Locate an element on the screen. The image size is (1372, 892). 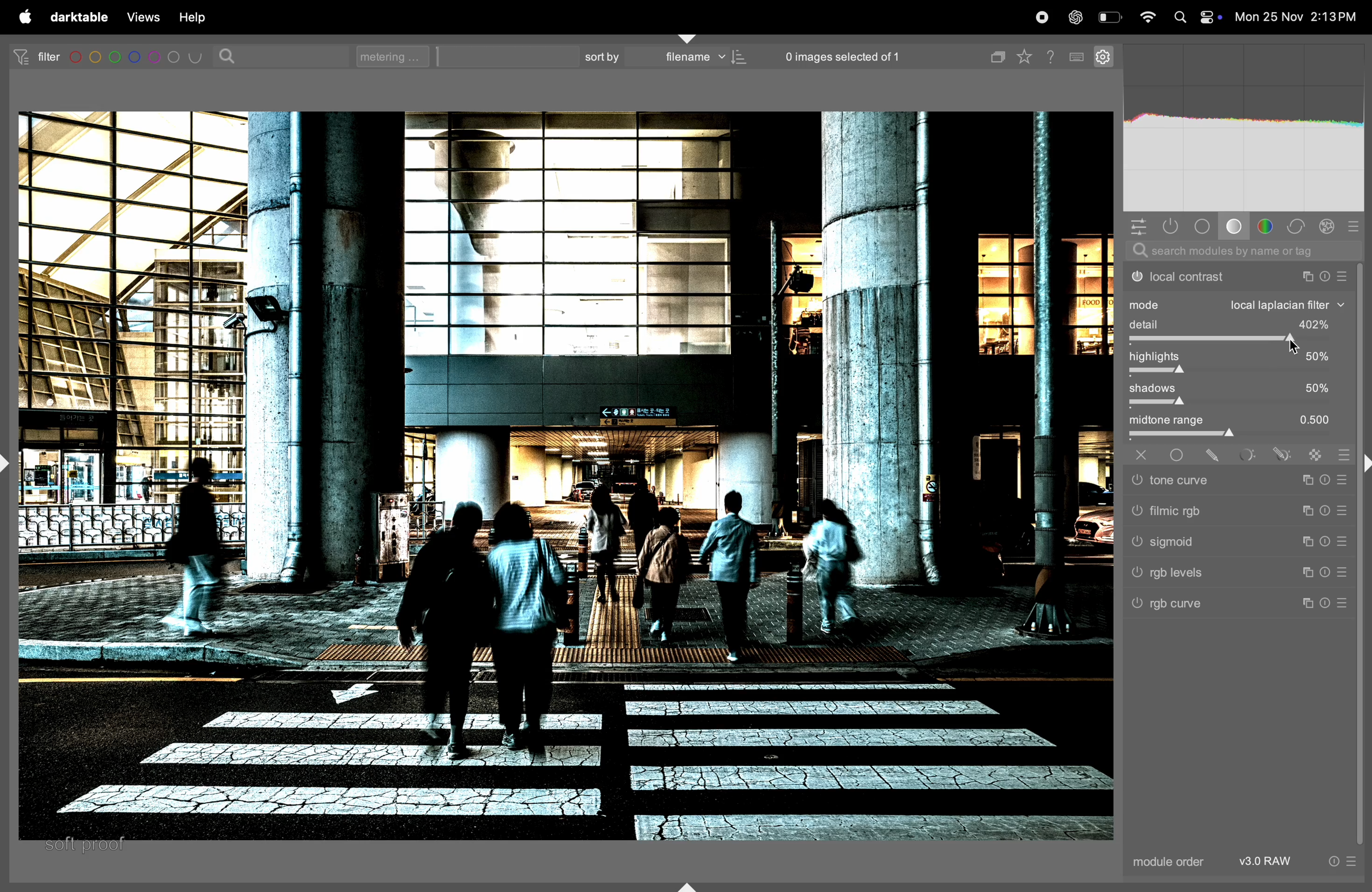
blending options is located at coordinates (1343, 452).